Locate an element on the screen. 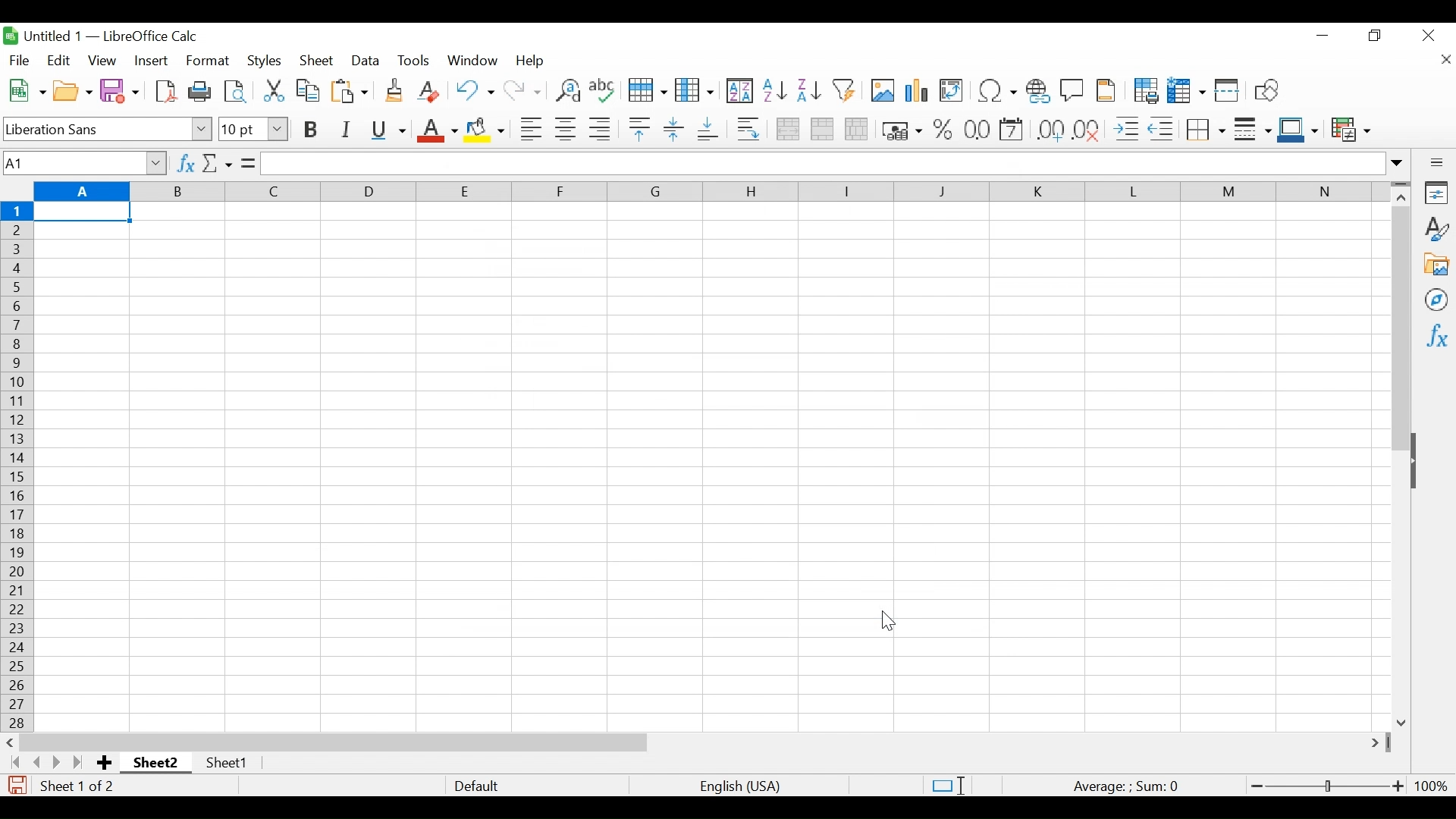 Image resolution: width=1456 pixels, height=819 pixels. Find and Replace is located at coordinates (565, 91).